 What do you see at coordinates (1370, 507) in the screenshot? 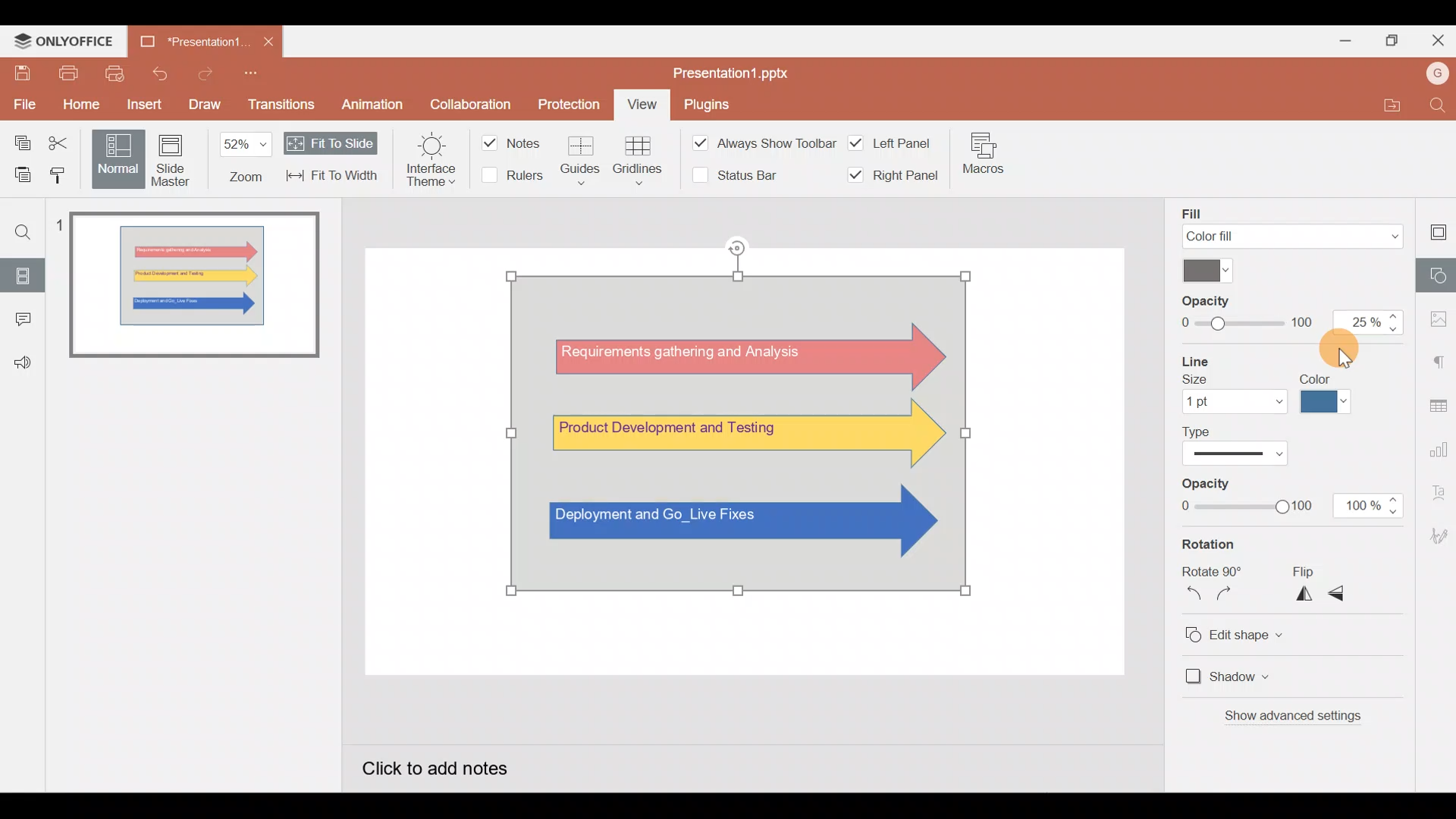
I see `Opacity % - 100%` at bounding box center [1370, 507].